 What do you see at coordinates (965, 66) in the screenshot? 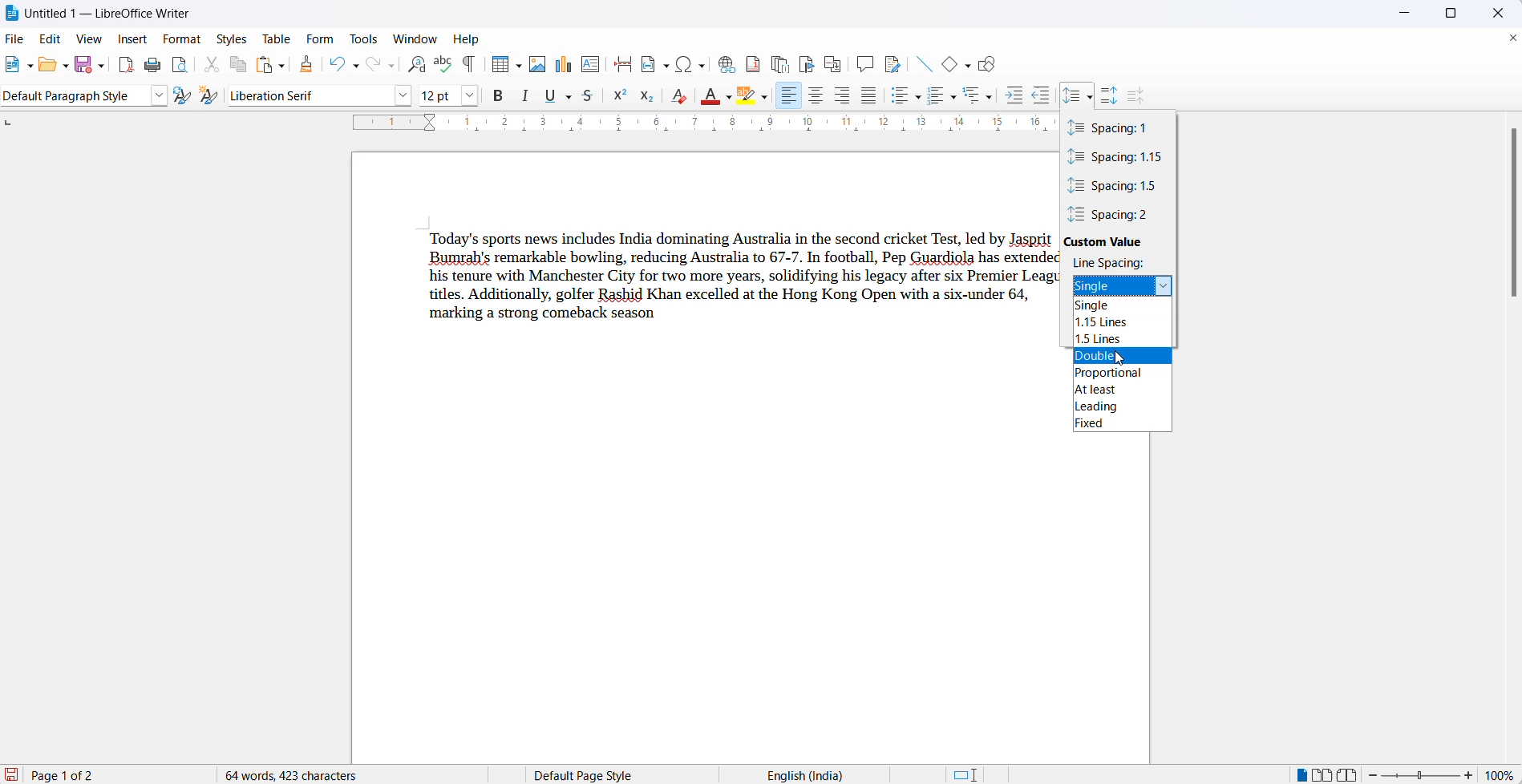
I see `basic shapes options` at bounding box center [965, 66].